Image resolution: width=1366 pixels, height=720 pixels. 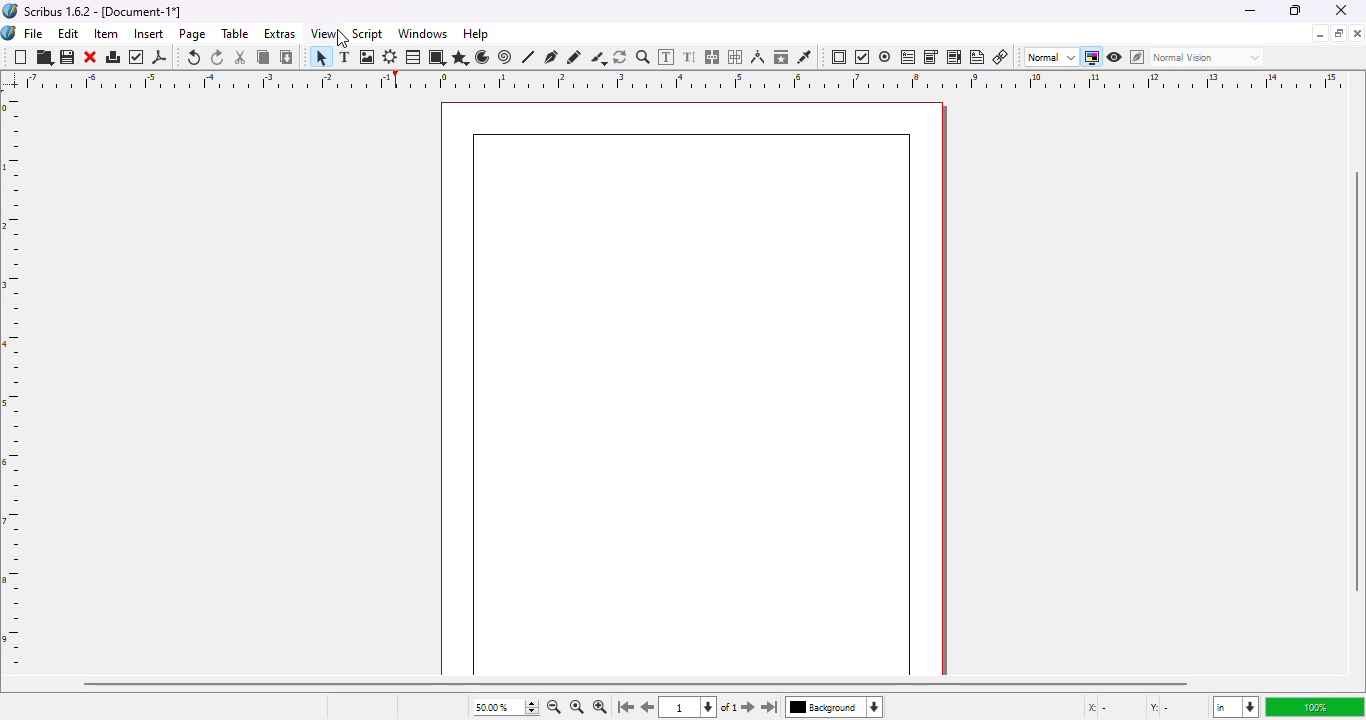 I want to click on workspace, so click(x=694, y=376).